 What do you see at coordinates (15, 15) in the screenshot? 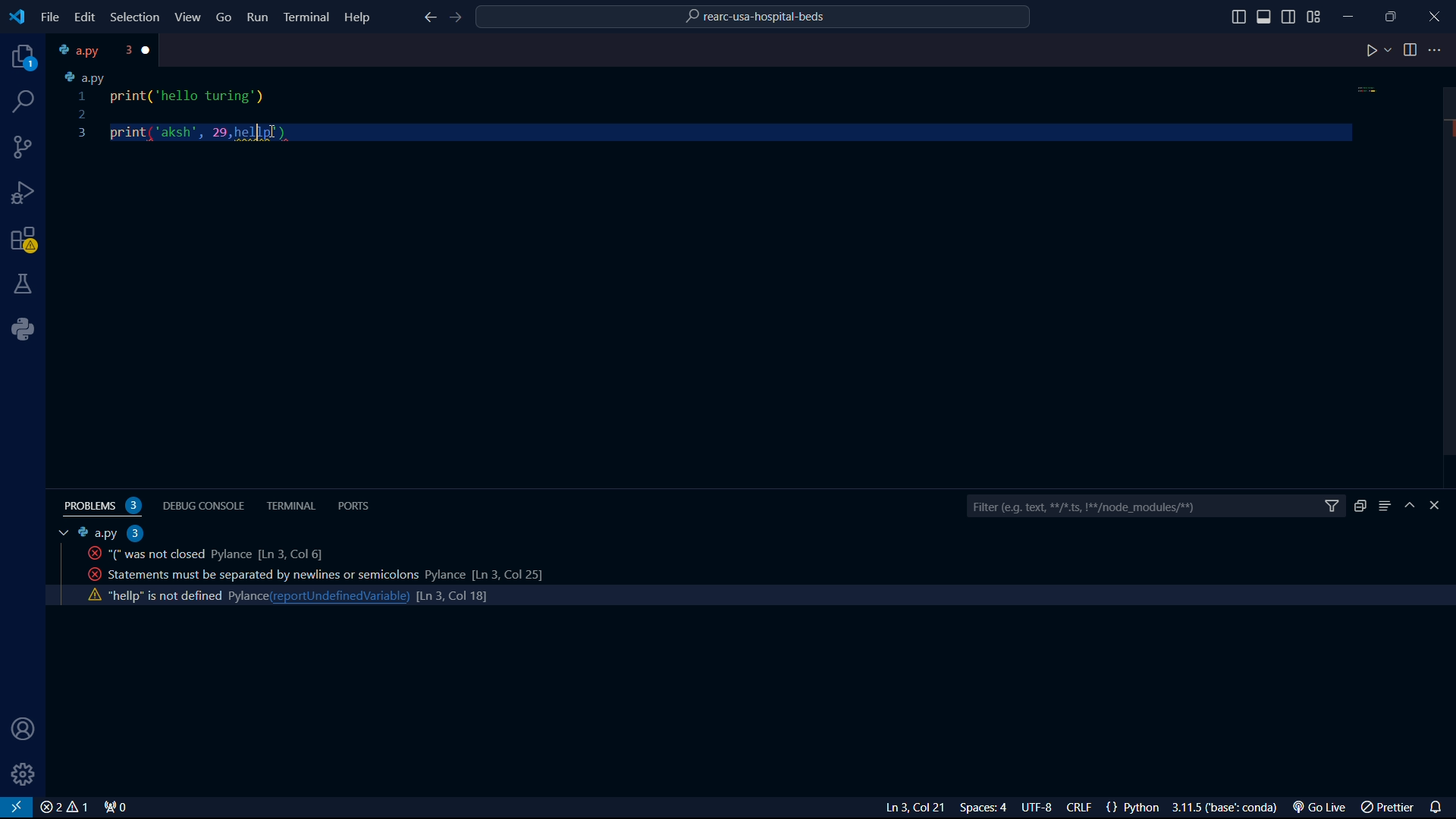
I see `VS Code logo` at bounding box center [15, 15].